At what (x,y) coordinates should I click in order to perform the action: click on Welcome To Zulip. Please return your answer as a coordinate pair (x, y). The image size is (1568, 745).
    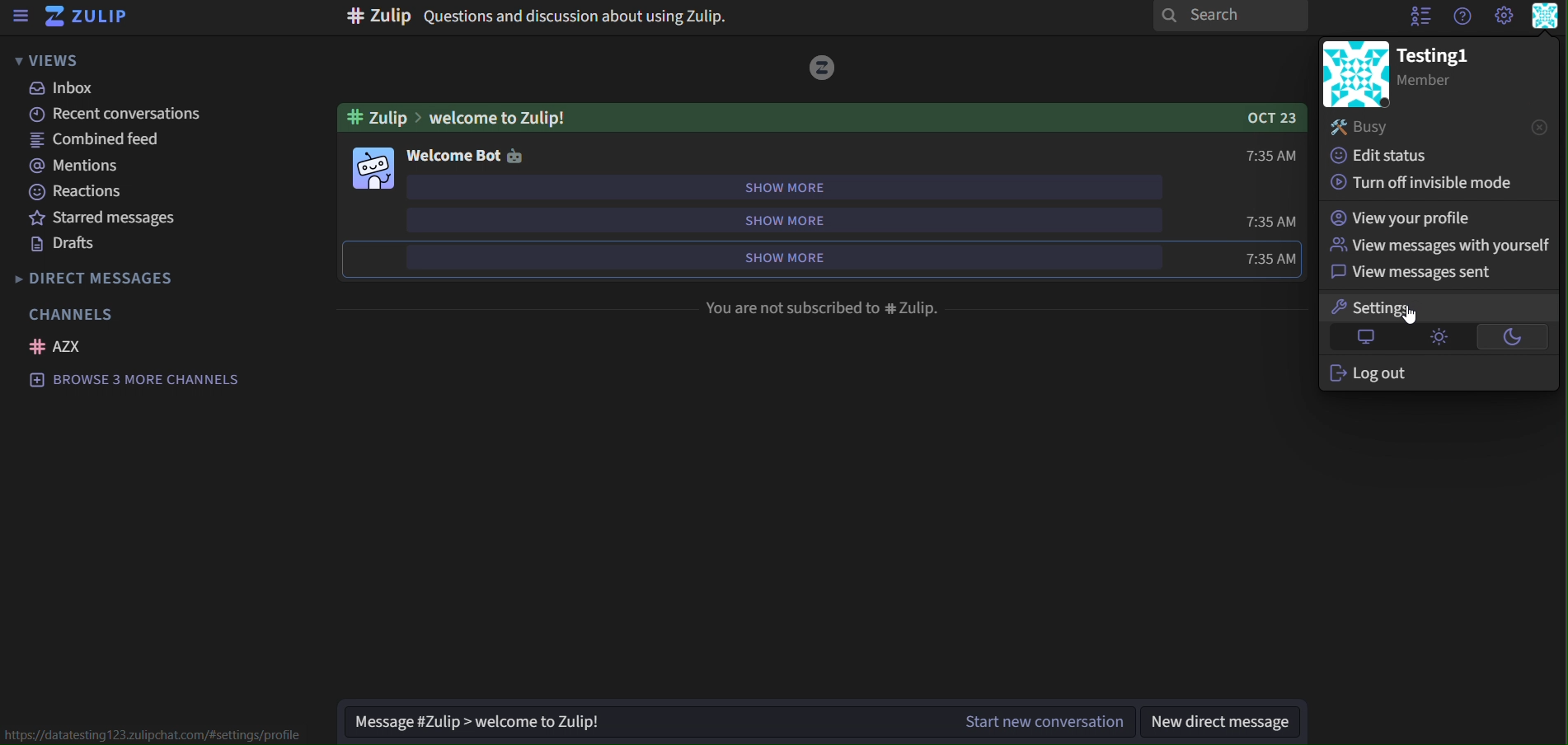
    Looking at the image, I should click on (498, 118).